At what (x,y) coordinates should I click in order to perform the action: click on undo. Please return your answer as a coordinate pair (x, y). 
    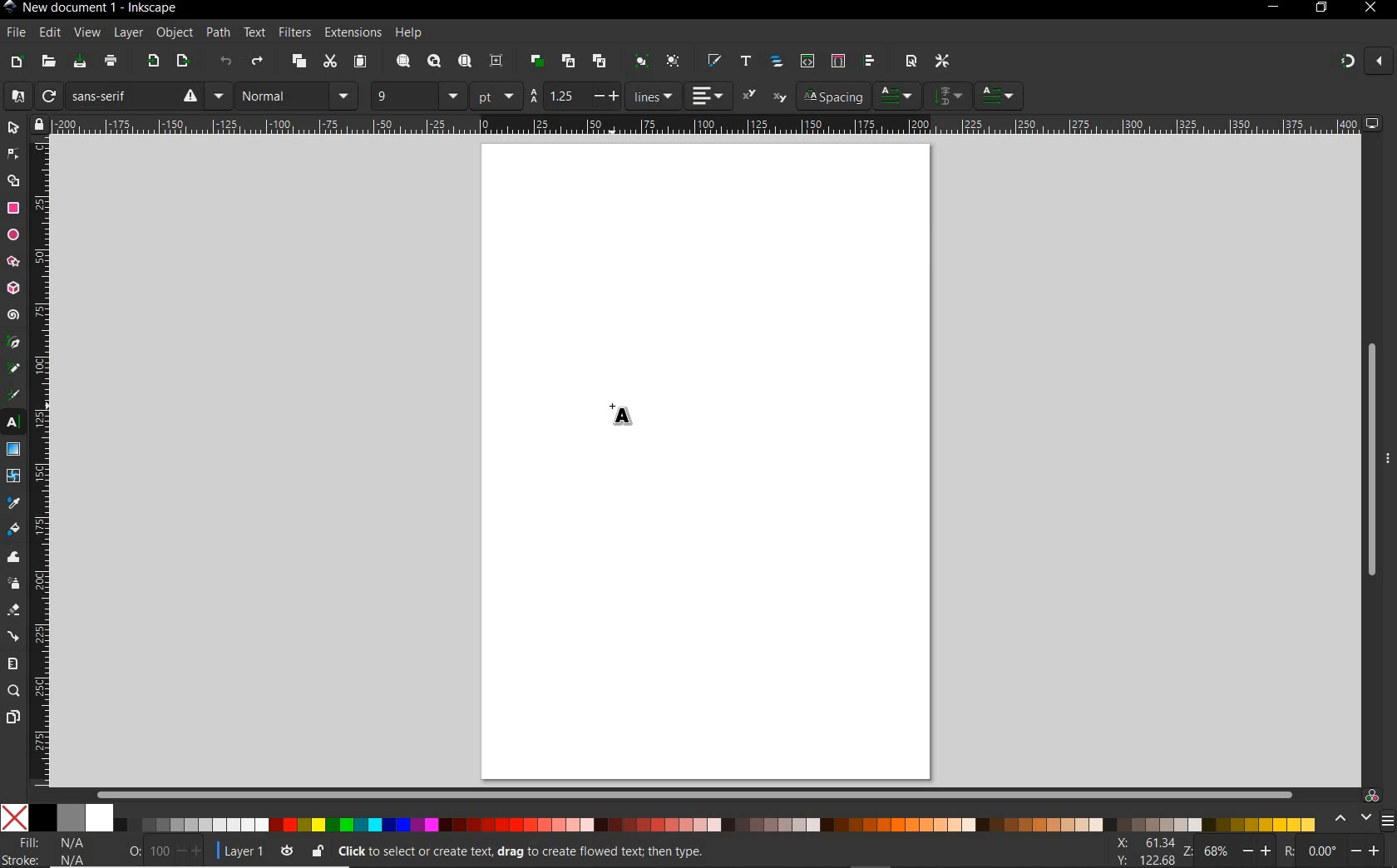
    Looking at the image, I should click on (226, 64).